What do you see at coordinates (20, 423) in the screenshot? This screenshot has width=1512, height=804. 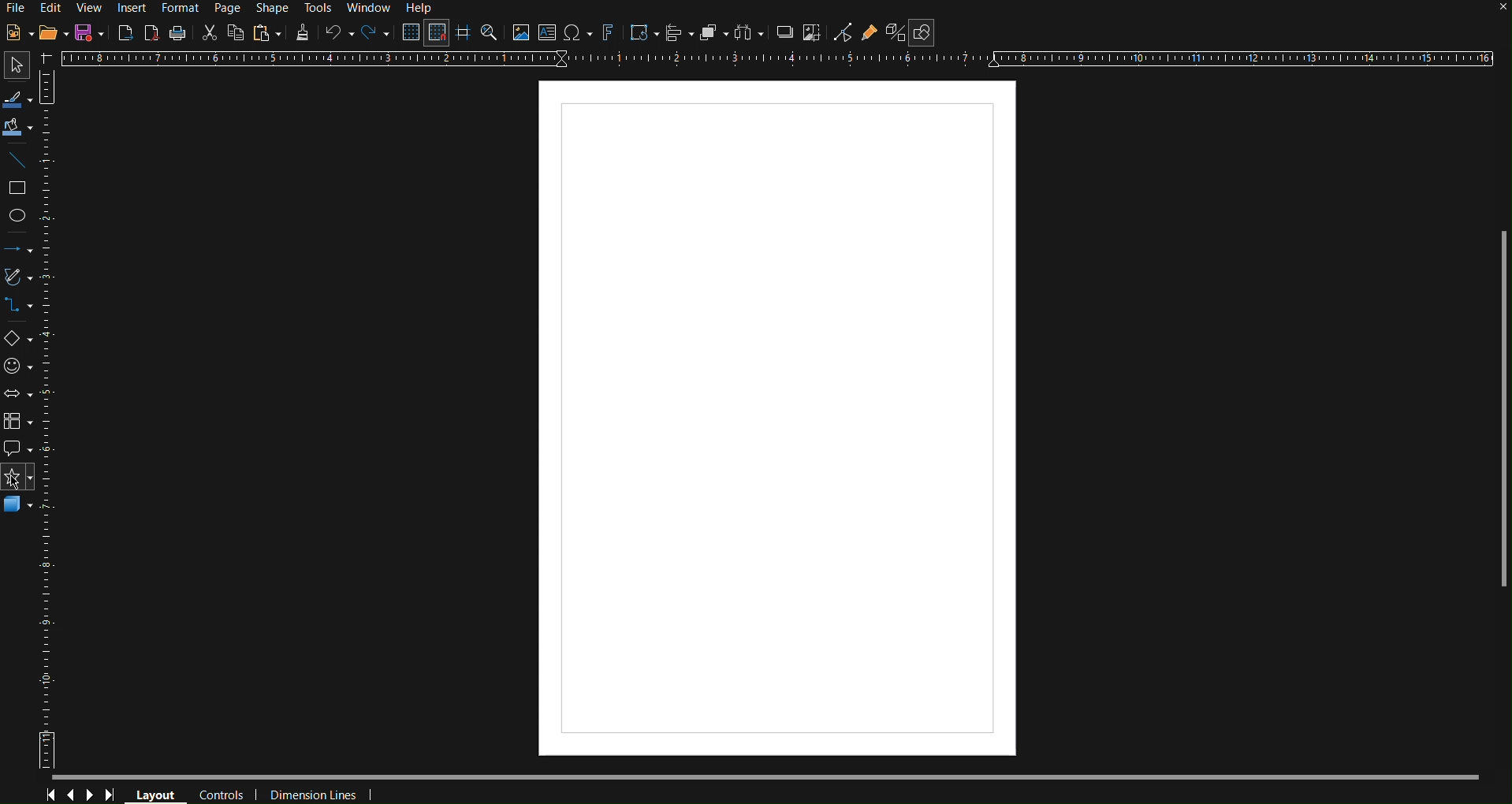 I see `Flowchart` at bounding box center [20, 423].